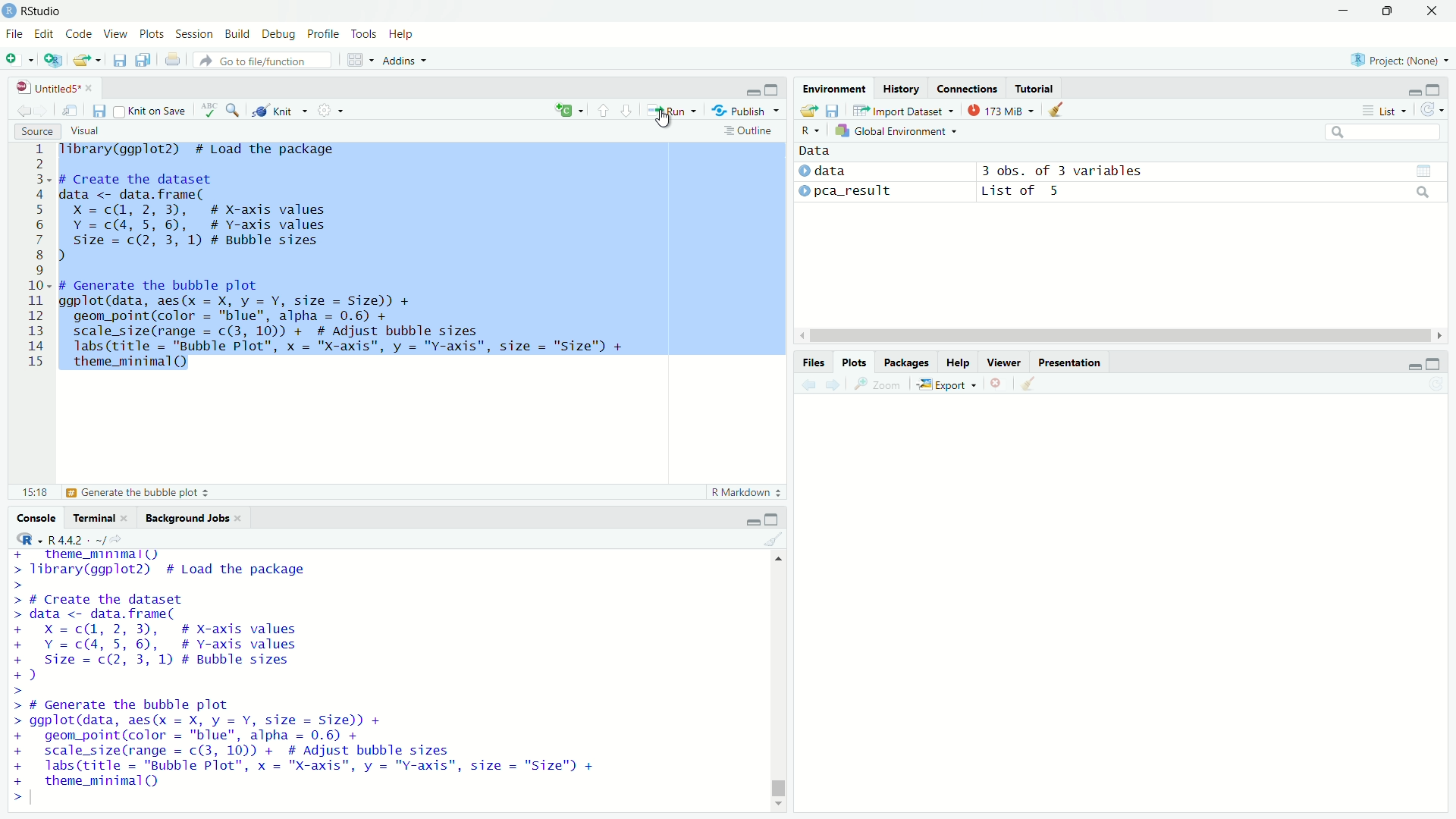 This screenshot has height=819, width=1456. Describe the element at coordinates (899, 130) in the screenshot. I see `global environment` at that location.